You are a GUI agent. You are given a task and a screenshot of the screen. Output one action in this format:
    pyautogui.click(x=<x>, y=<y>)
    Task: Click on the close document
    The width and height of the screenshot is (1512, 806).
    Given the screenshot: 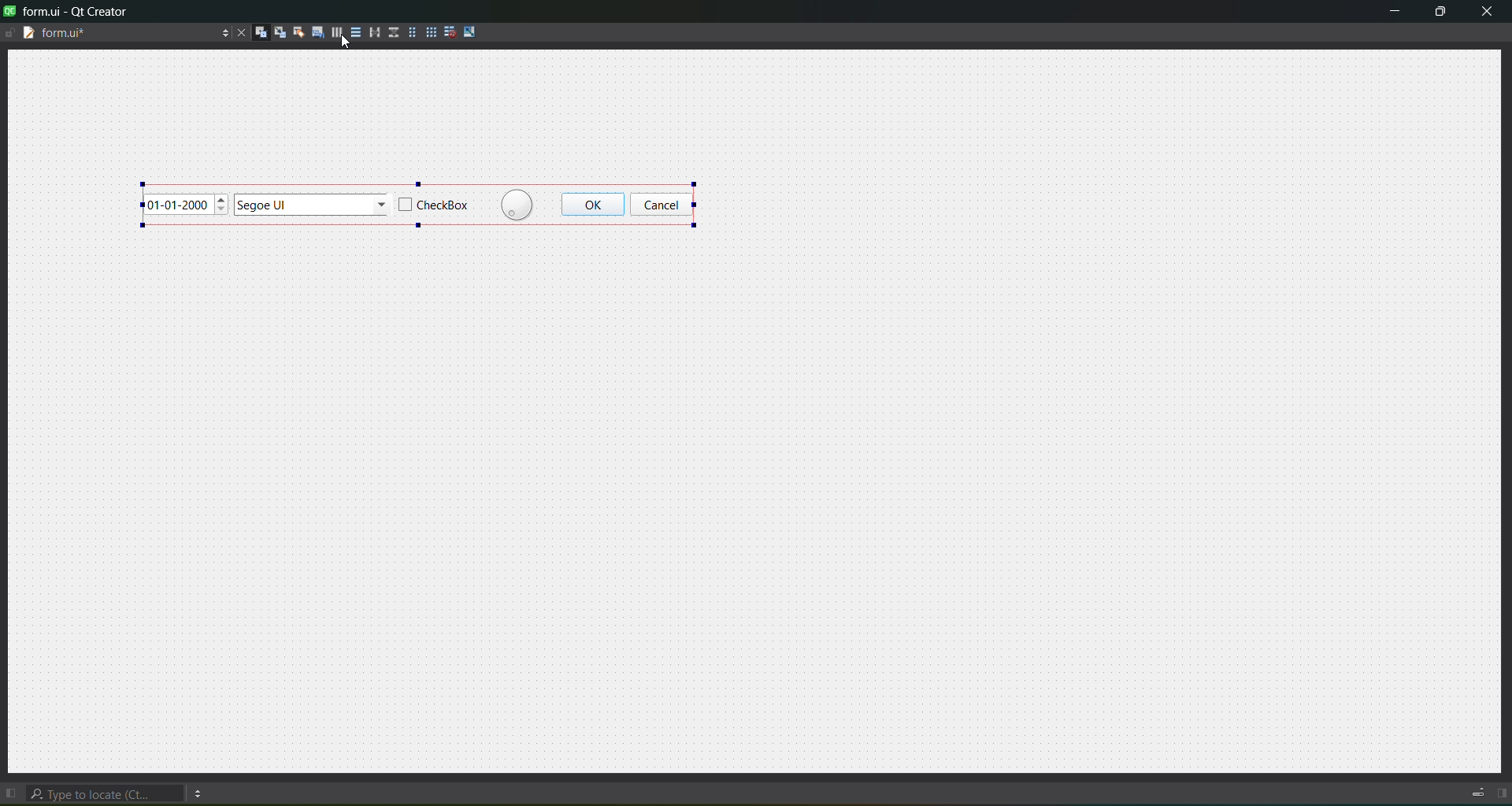 What is the action you would take?
    pyautogui.click(x=239, y=30)
    